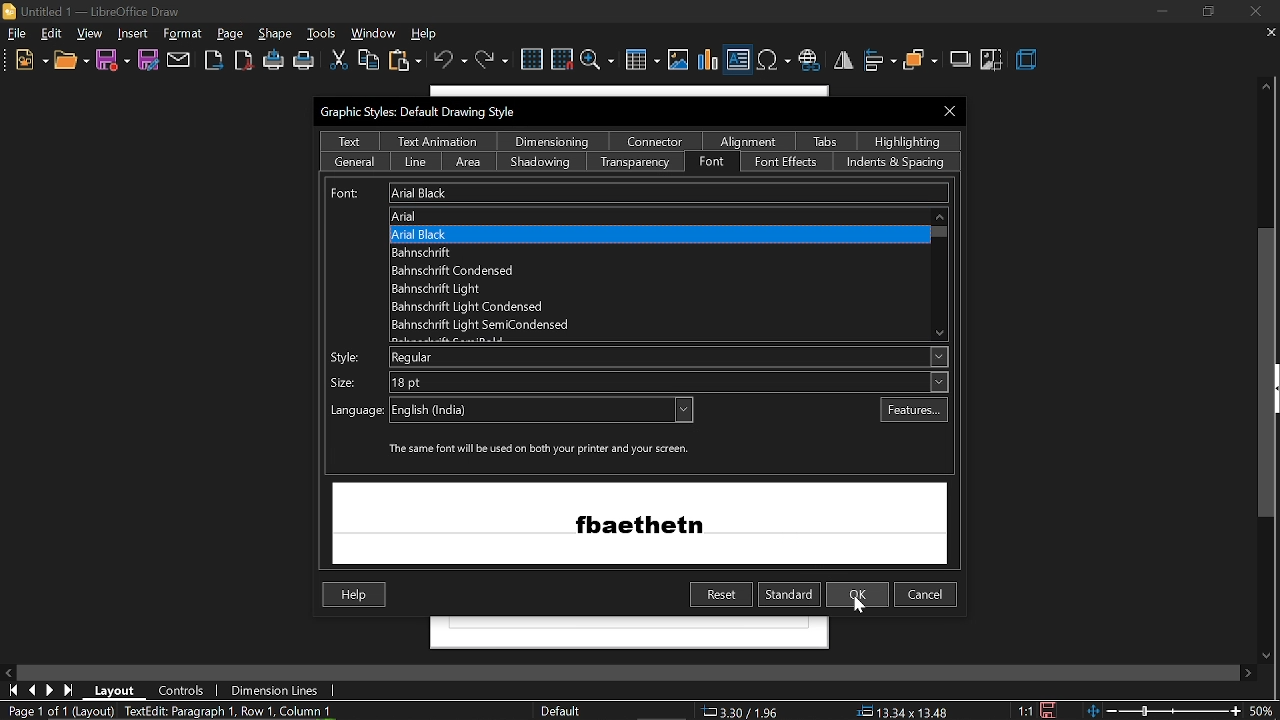 This screenshot has width=1280, height=720. Describe the element at coordinates (178, 61) in the screenshot. I see `attach` at that location.